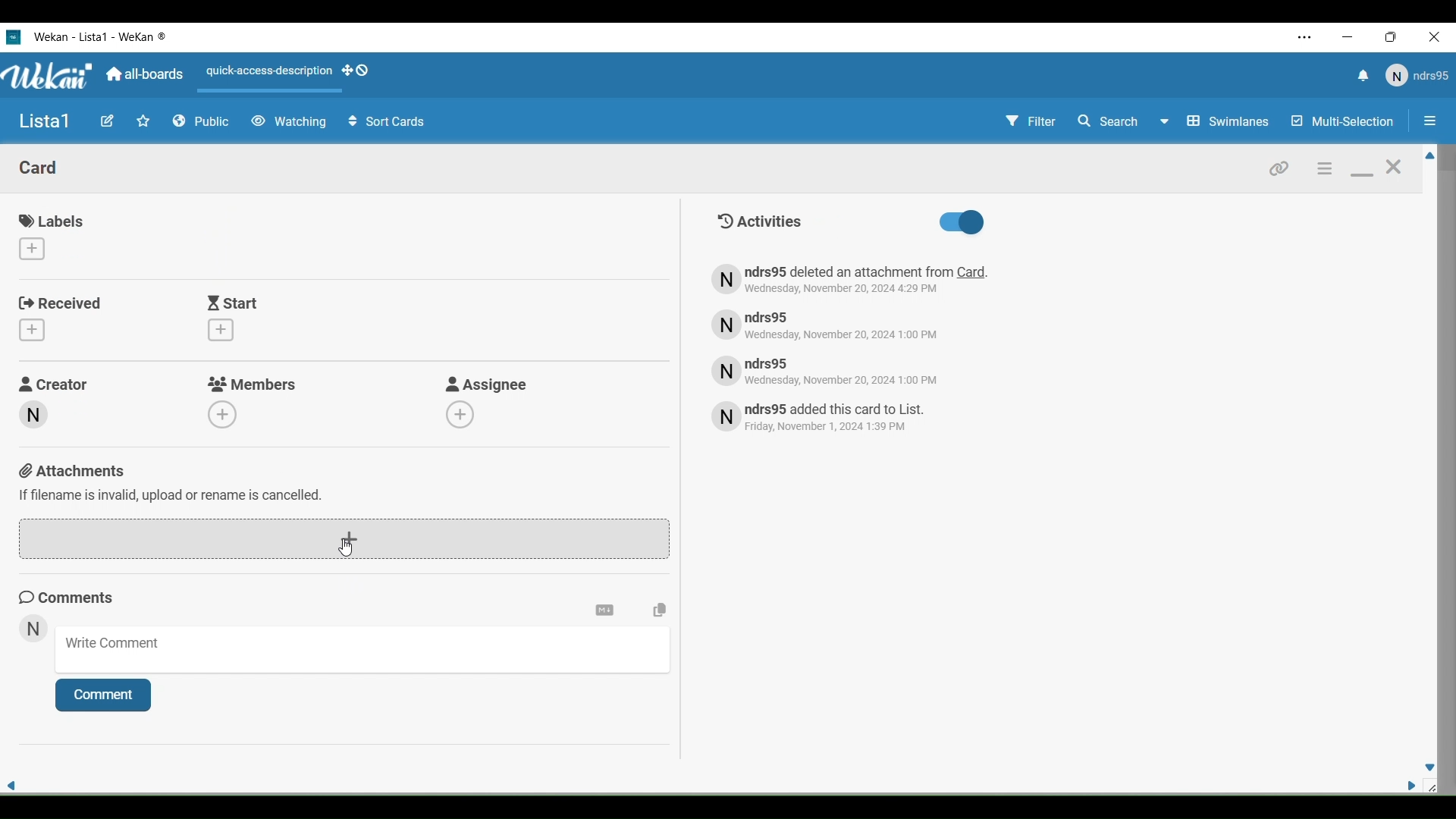 The height and width of the screenshot is (819, 1456). Describe the element at coordinates (1279, 167) in the screenshot. I see `Link` at that location.